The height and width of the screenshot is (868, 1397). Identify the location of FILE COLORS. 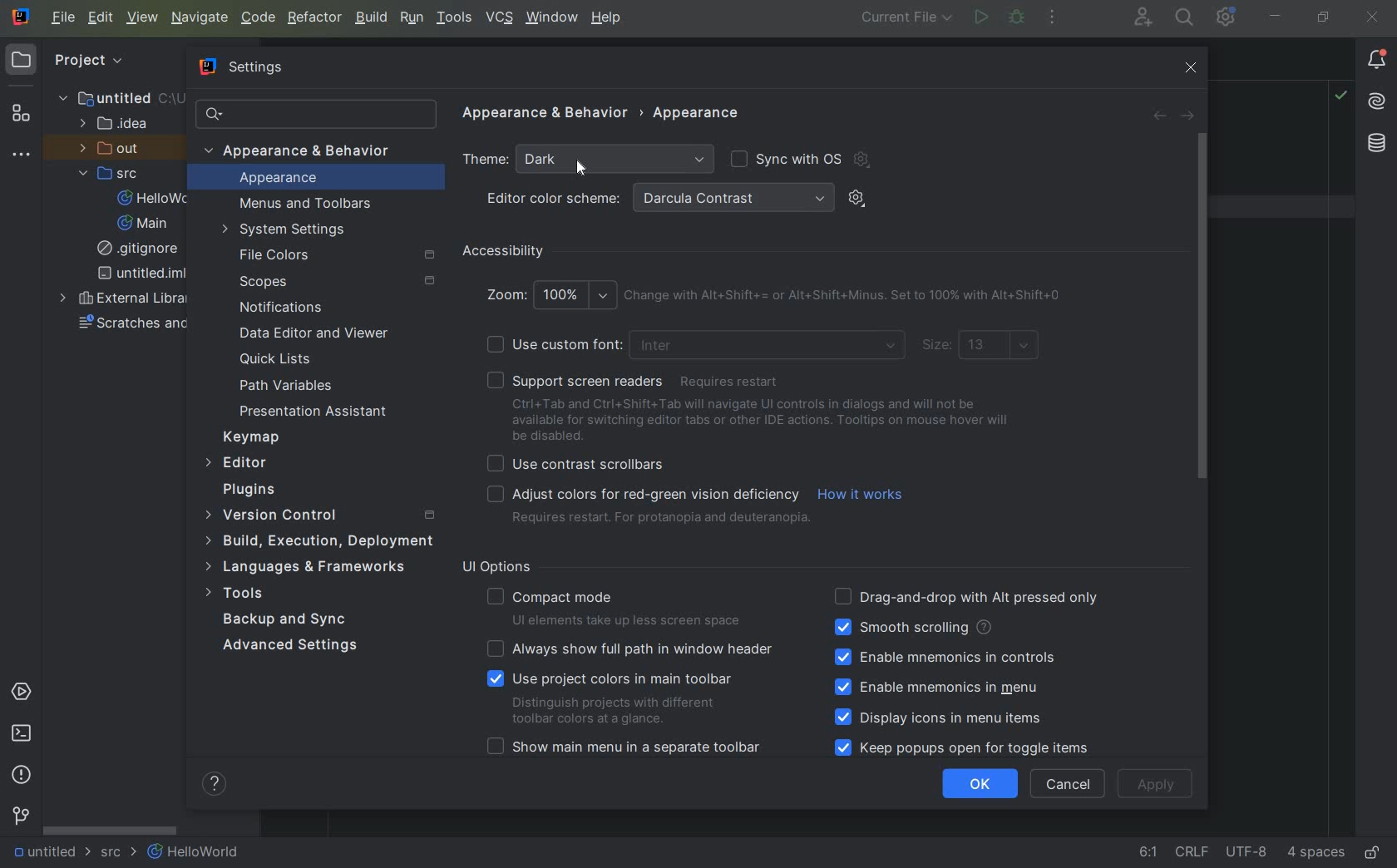
(340, 254).